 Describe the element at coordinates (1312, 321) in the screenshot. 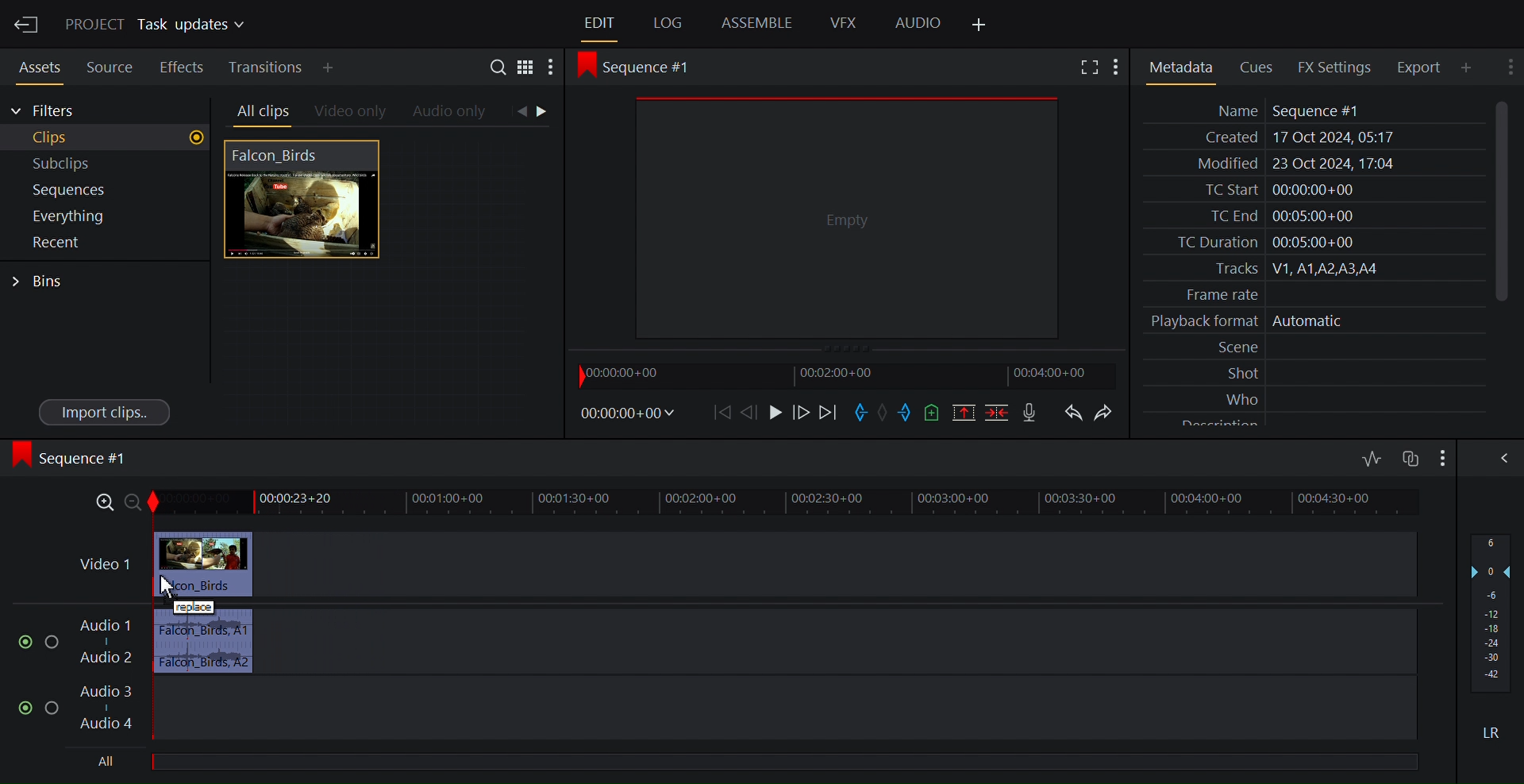

I see `Playback format` at that location.